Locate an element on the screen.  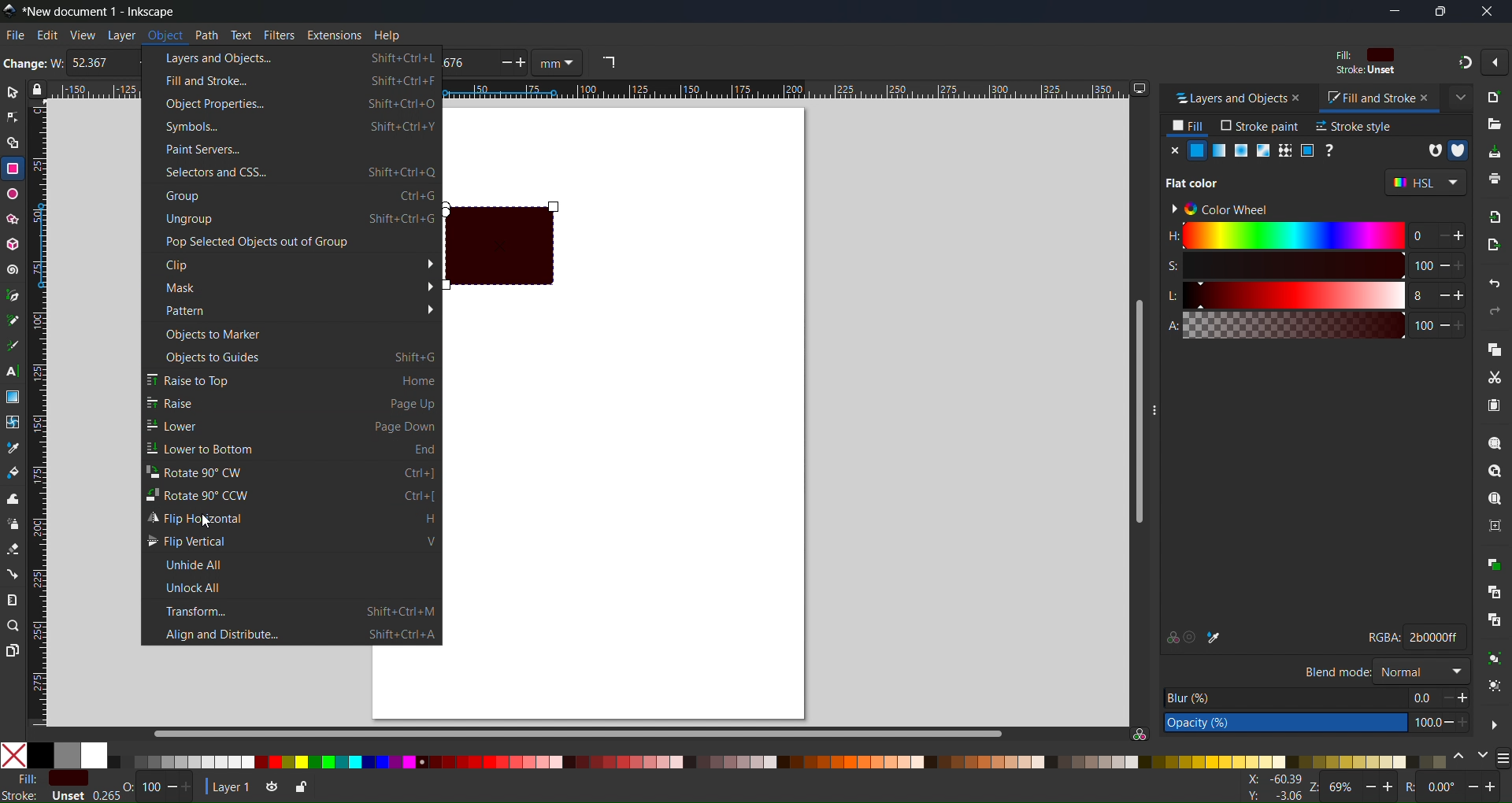
change W: is located at coordinates (32, 65).